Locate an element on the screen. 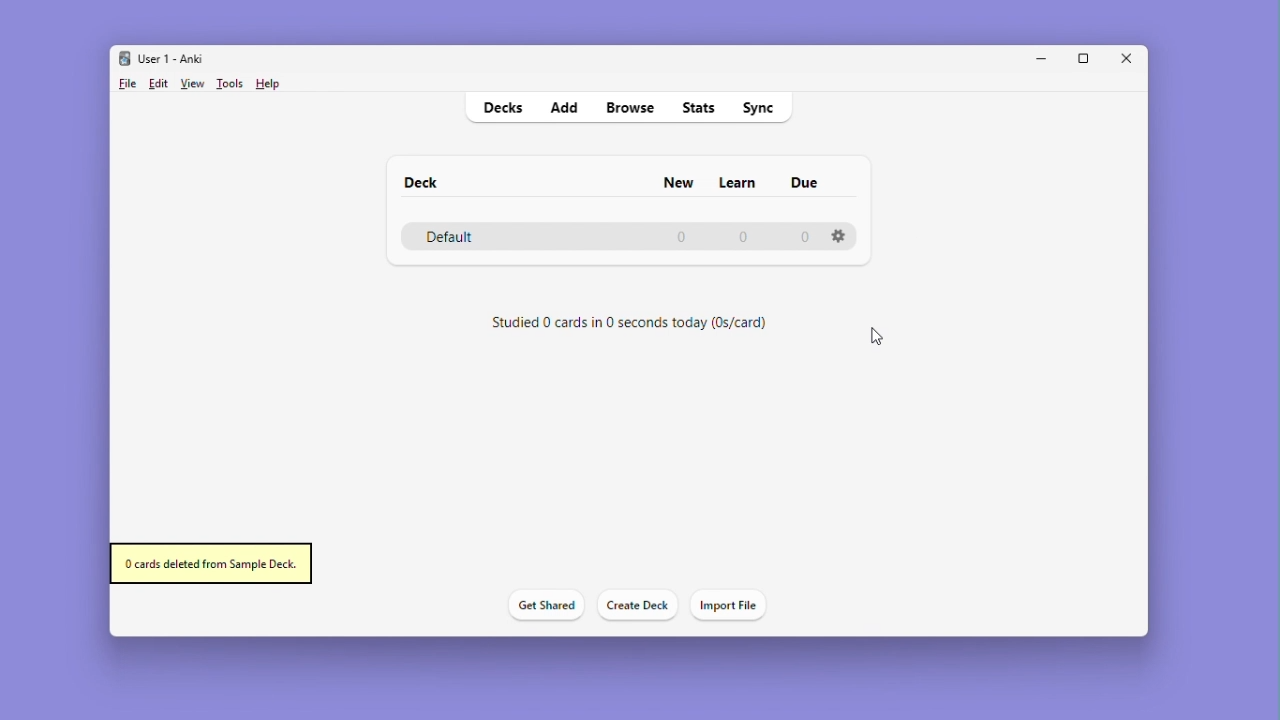  0 is located at coordinates (681, 240).